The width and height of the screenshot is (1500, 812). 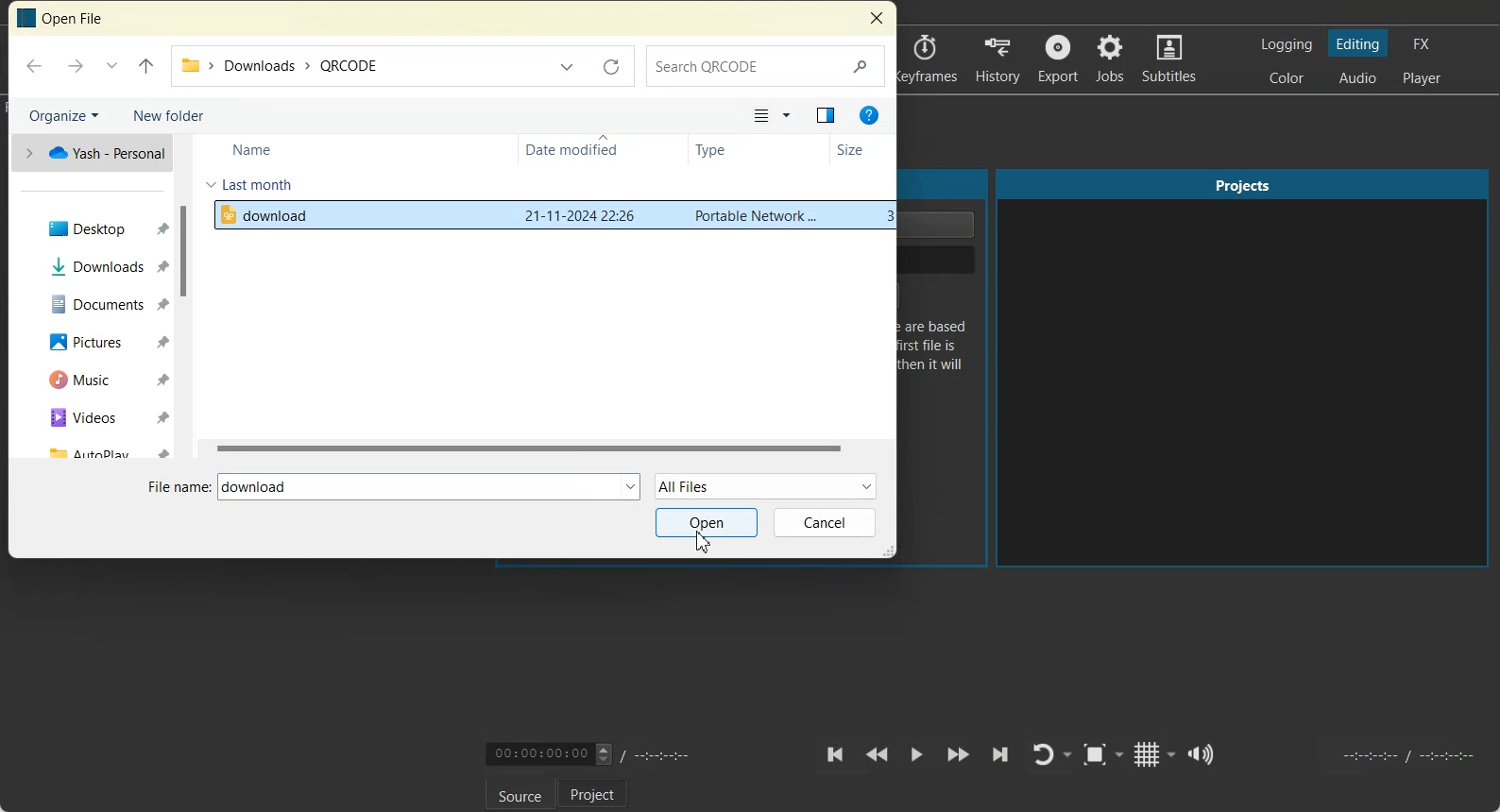 What do you see at coordinates (98, 448) in the screenshot?
I see `Autoplay` at bounding box center [98, 448].